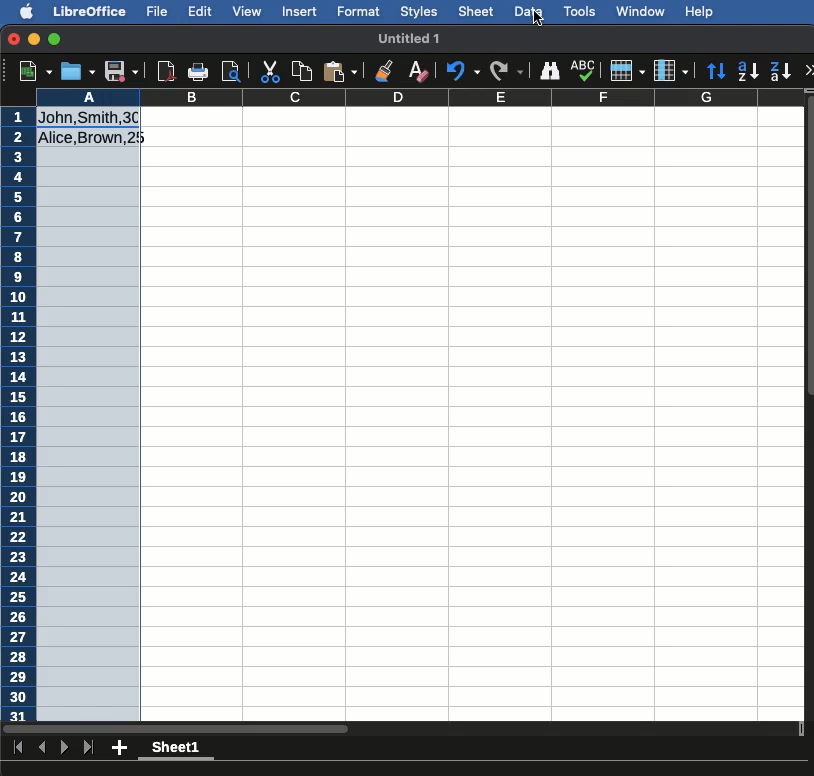 The image size is (814, 776). I want to click on Libreoffice, so click(89, 12).